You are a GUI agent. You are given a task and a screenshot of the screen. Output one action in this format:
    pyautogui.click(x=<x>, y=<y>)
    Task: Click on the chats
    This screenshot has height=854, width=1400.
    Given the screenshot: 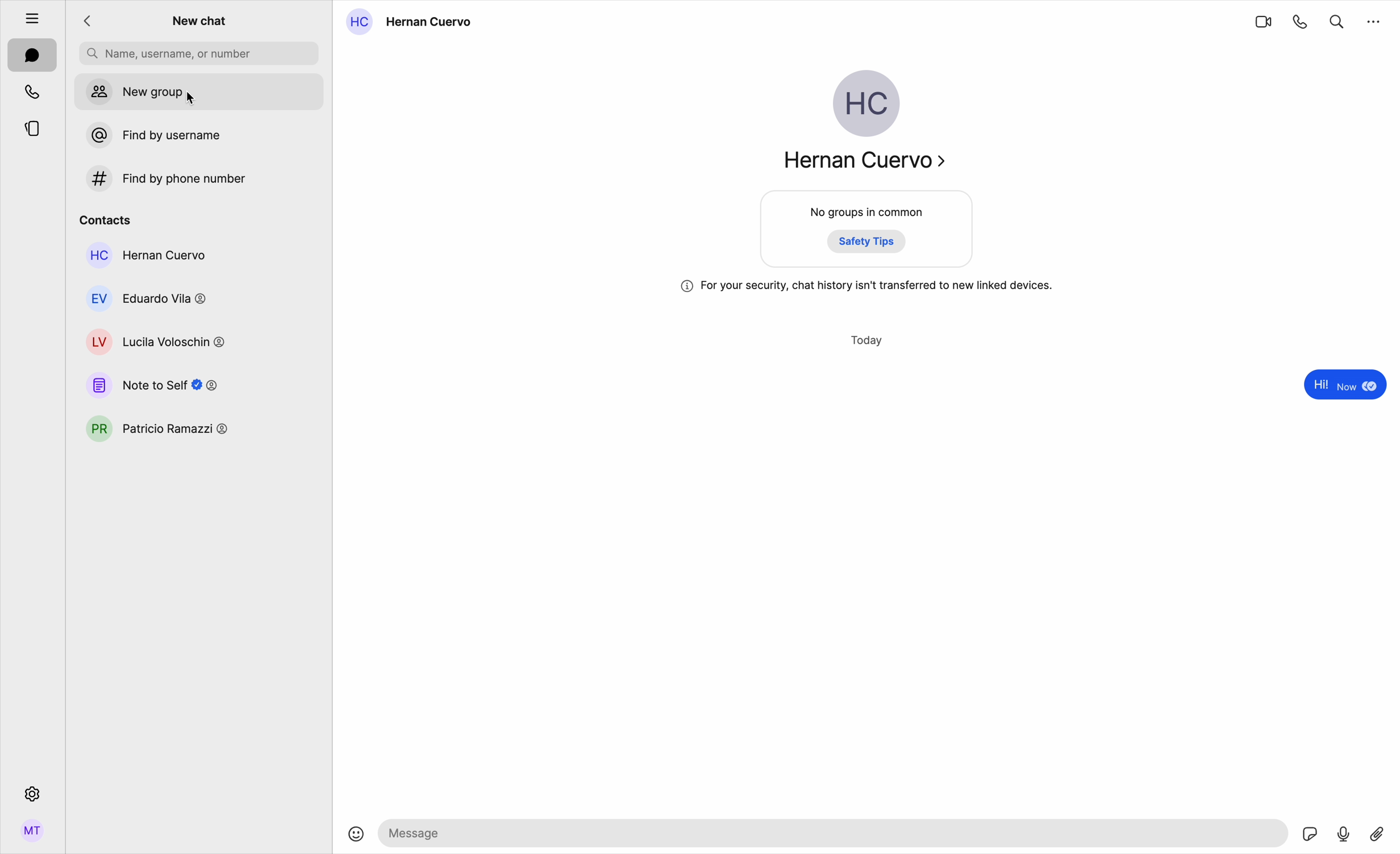 What is the action you would take?
    pyautogui.click(x=32, y=56)
    